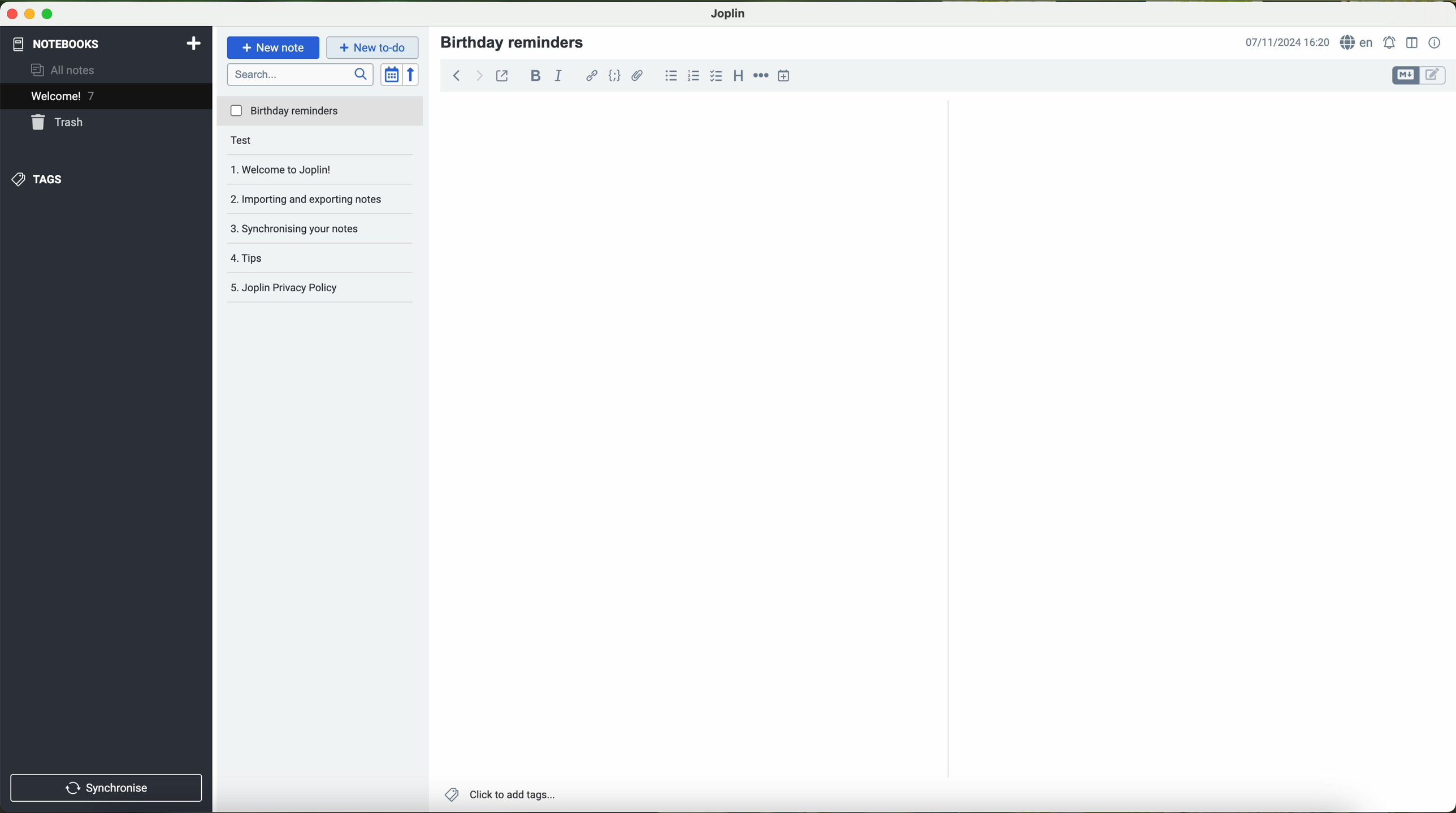 The height and width of the screenshot is (813, 1456). I want to click on language, so click(1359, 44).